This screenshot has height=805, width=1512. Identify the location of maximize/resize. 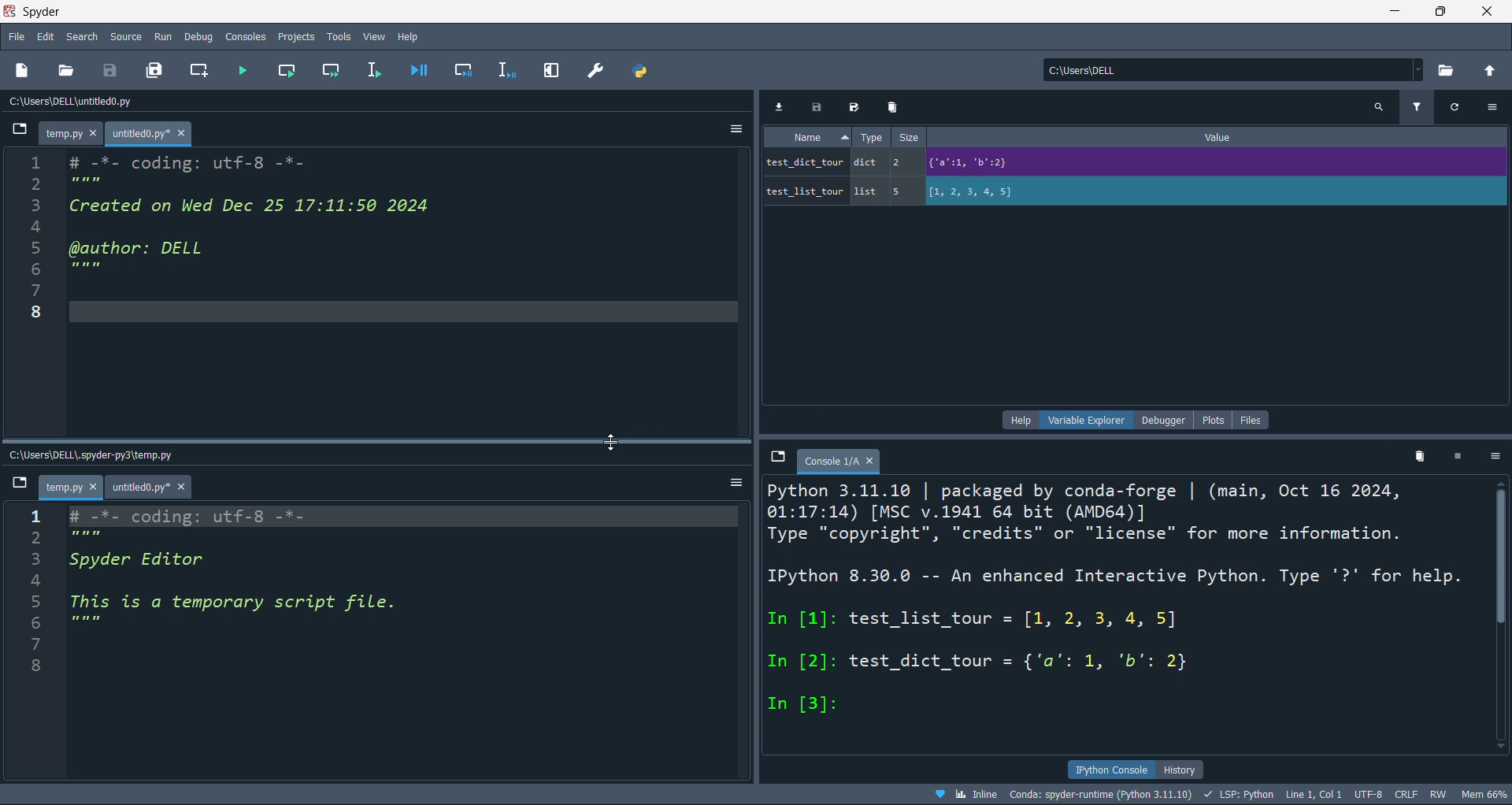
(1441, 13).